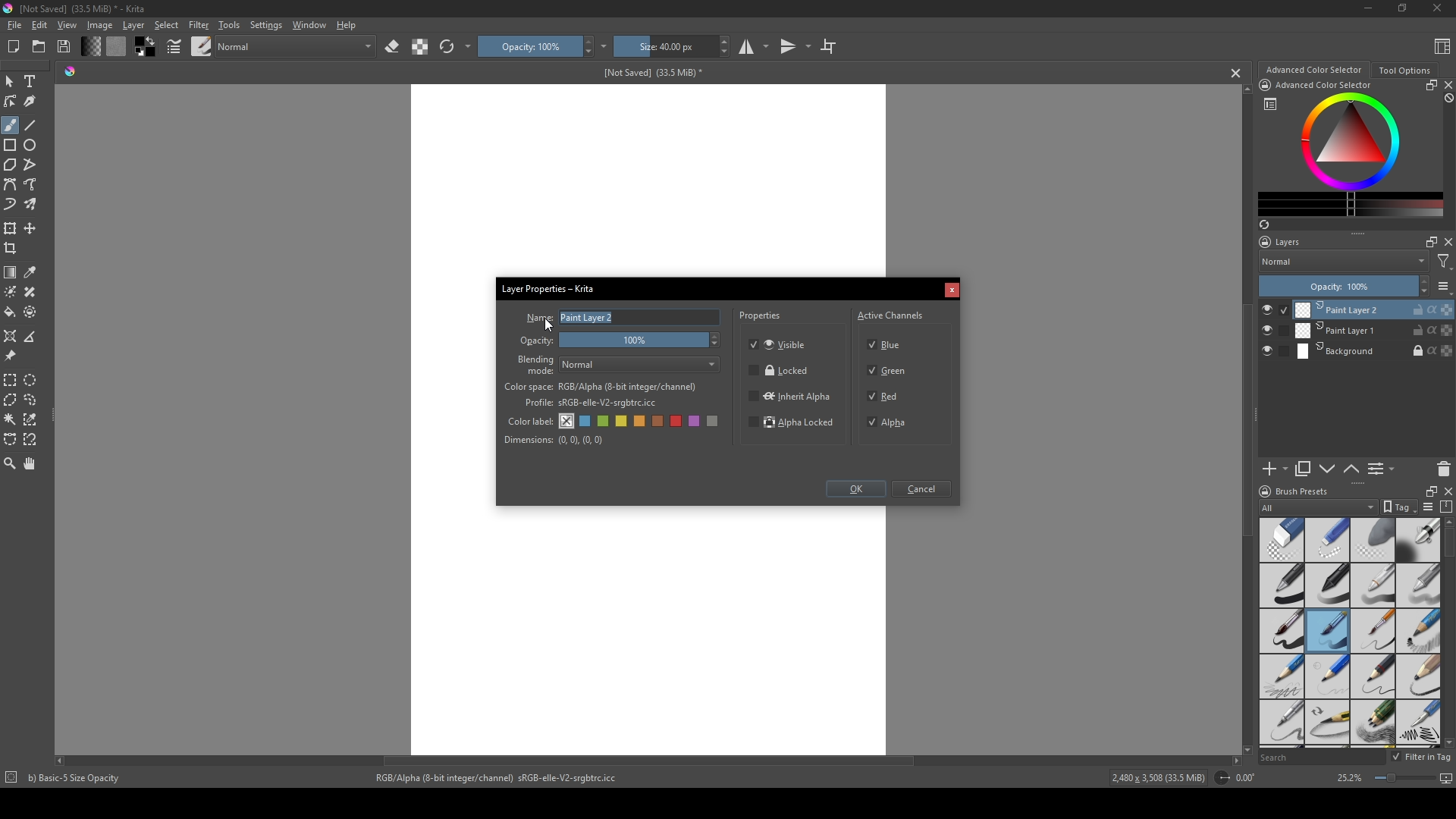  I want to click on check button, so click(1275, 331).